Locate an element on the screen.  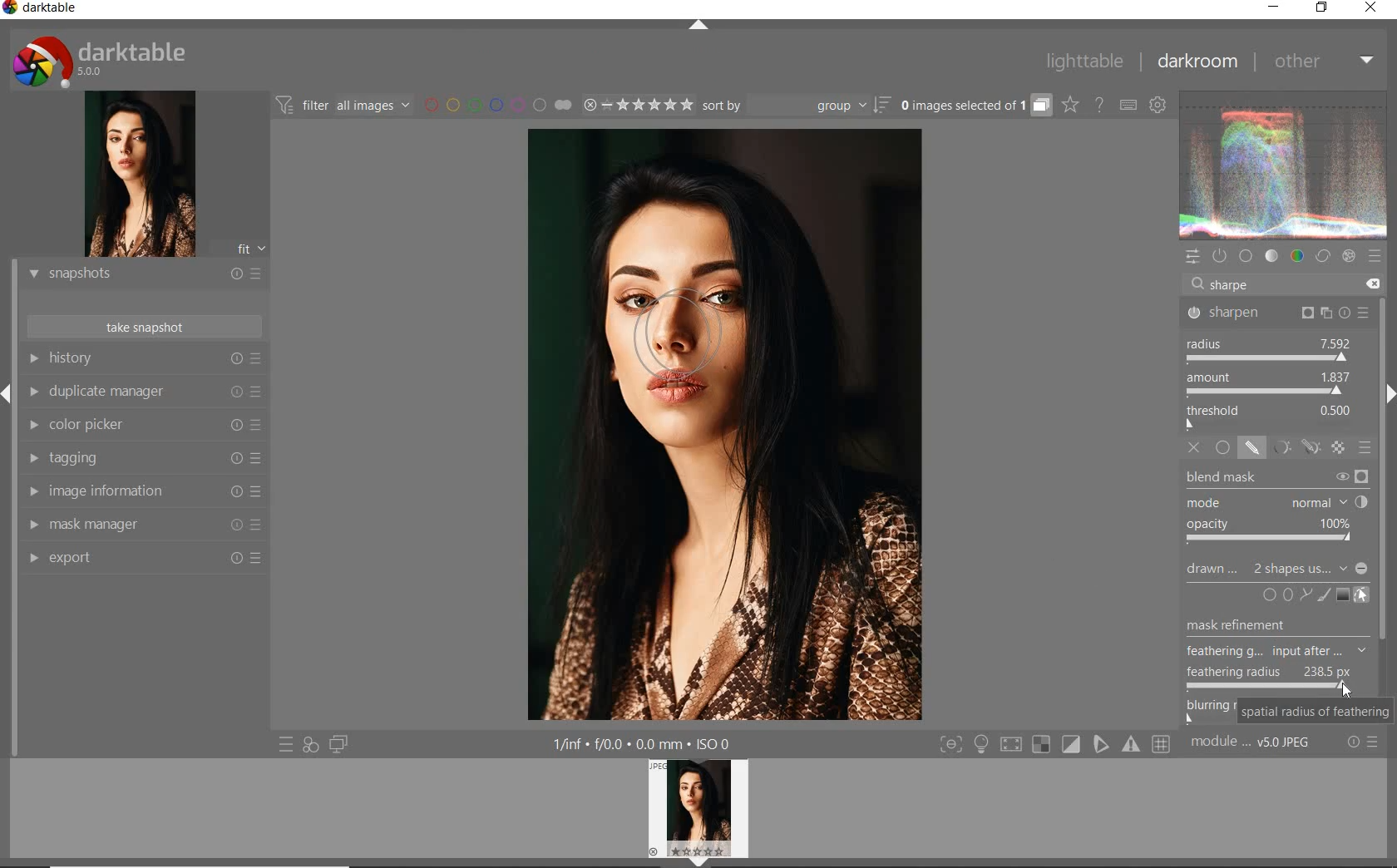
export  is located at coordinates (145, 558).